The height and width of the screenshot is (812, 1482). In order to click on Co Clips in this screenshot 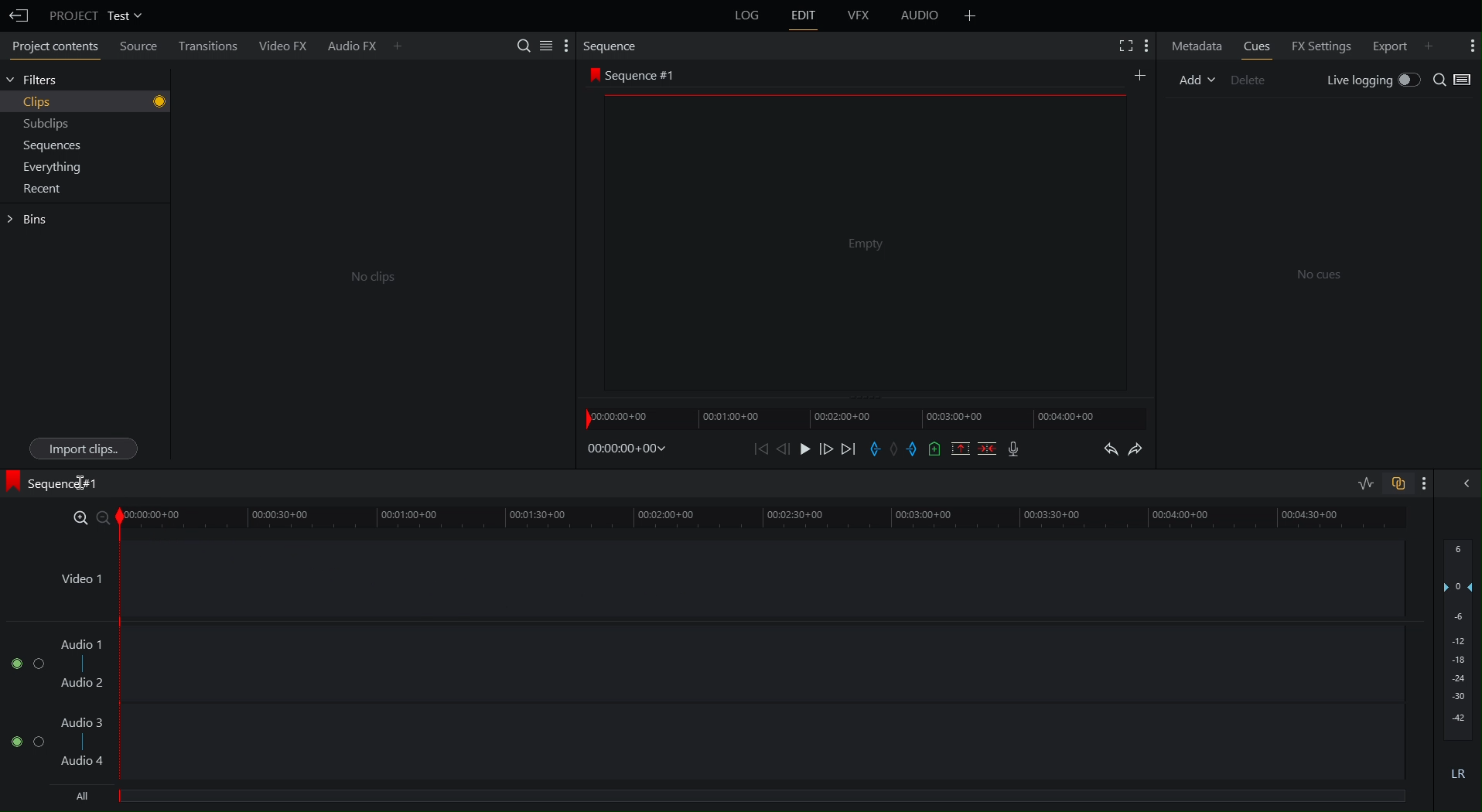, I will do `click(369, 277)`.